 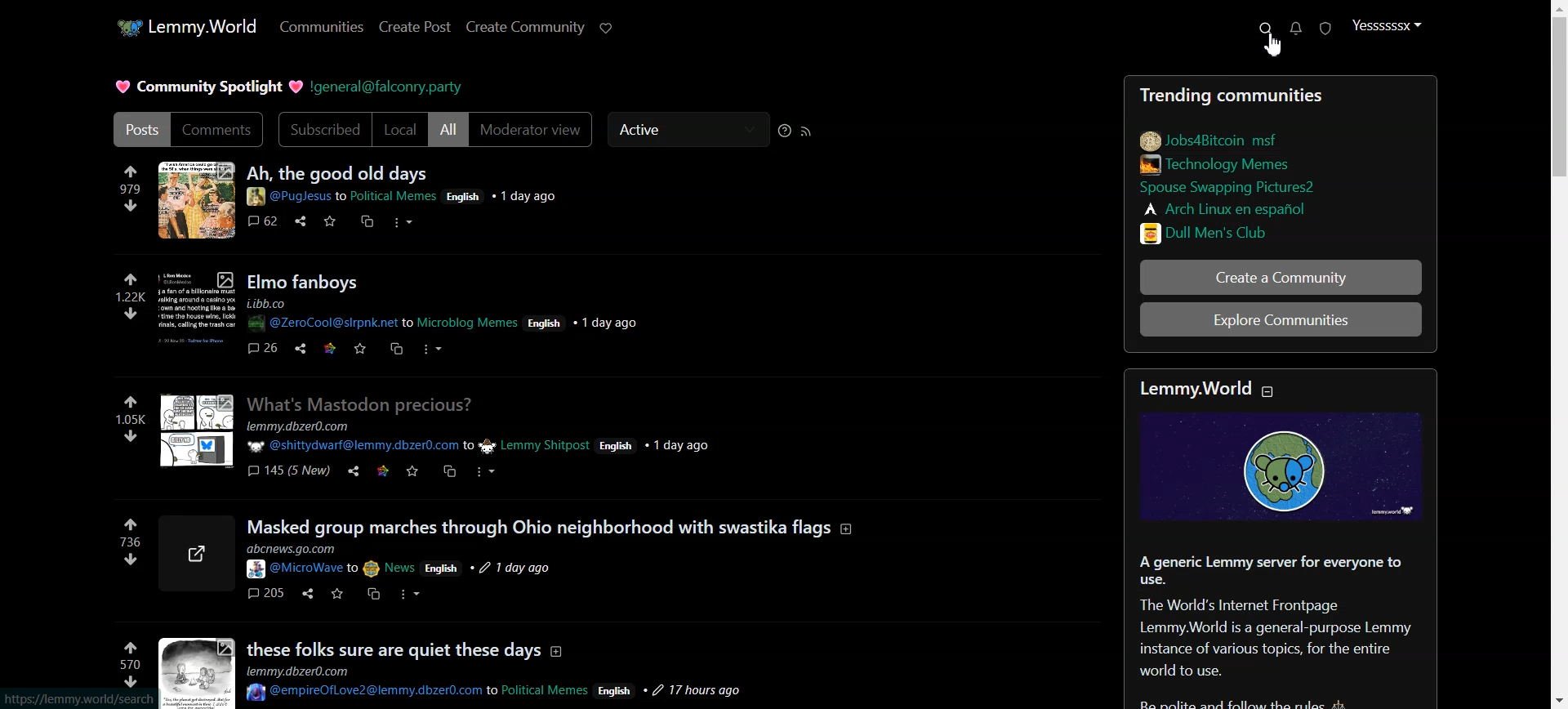 I want to click on Moderator view, so click(x=532, y=129).